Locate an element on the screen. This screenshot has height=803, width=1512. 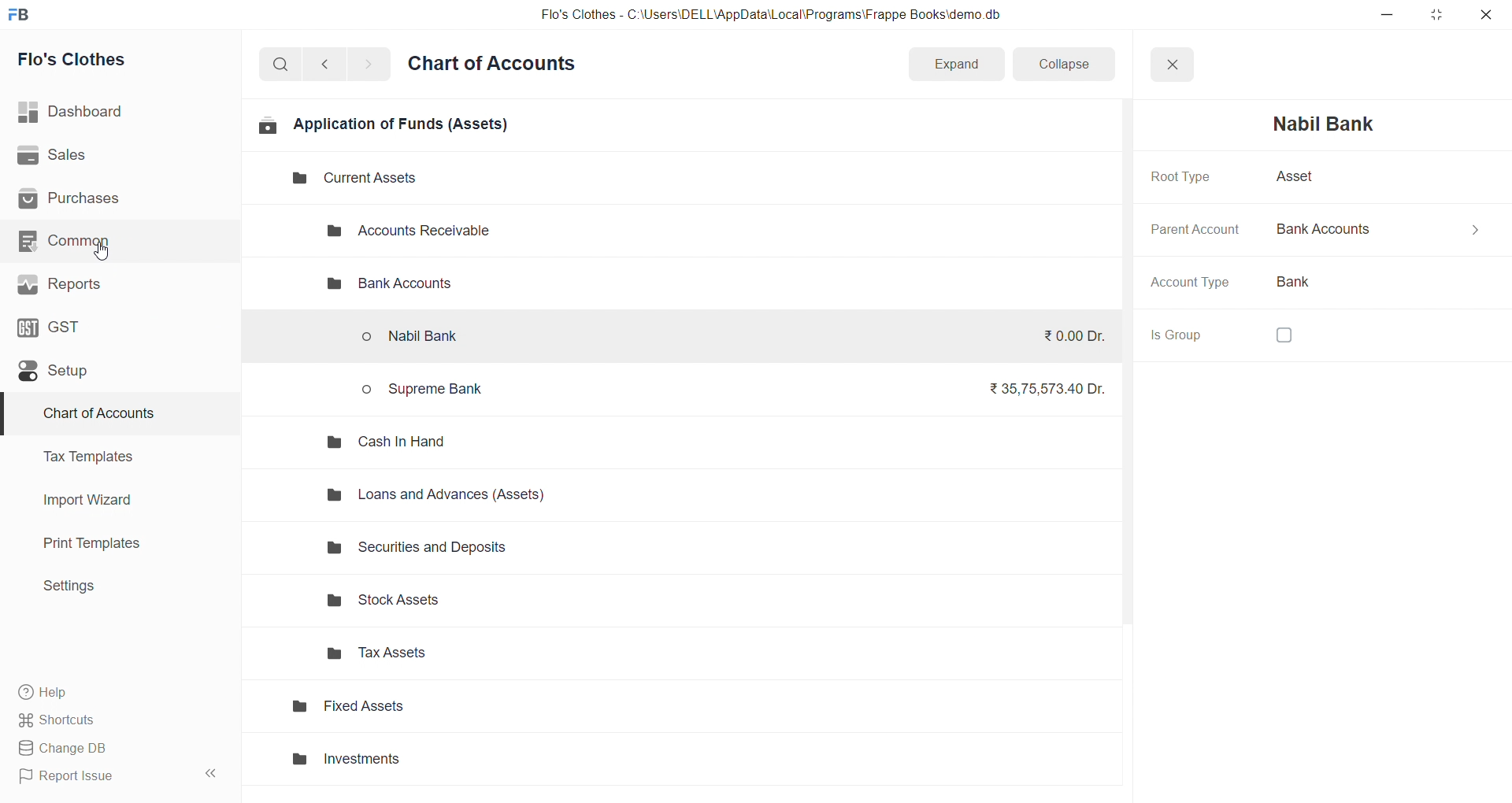
Investments is located at coordinates (433, 760).